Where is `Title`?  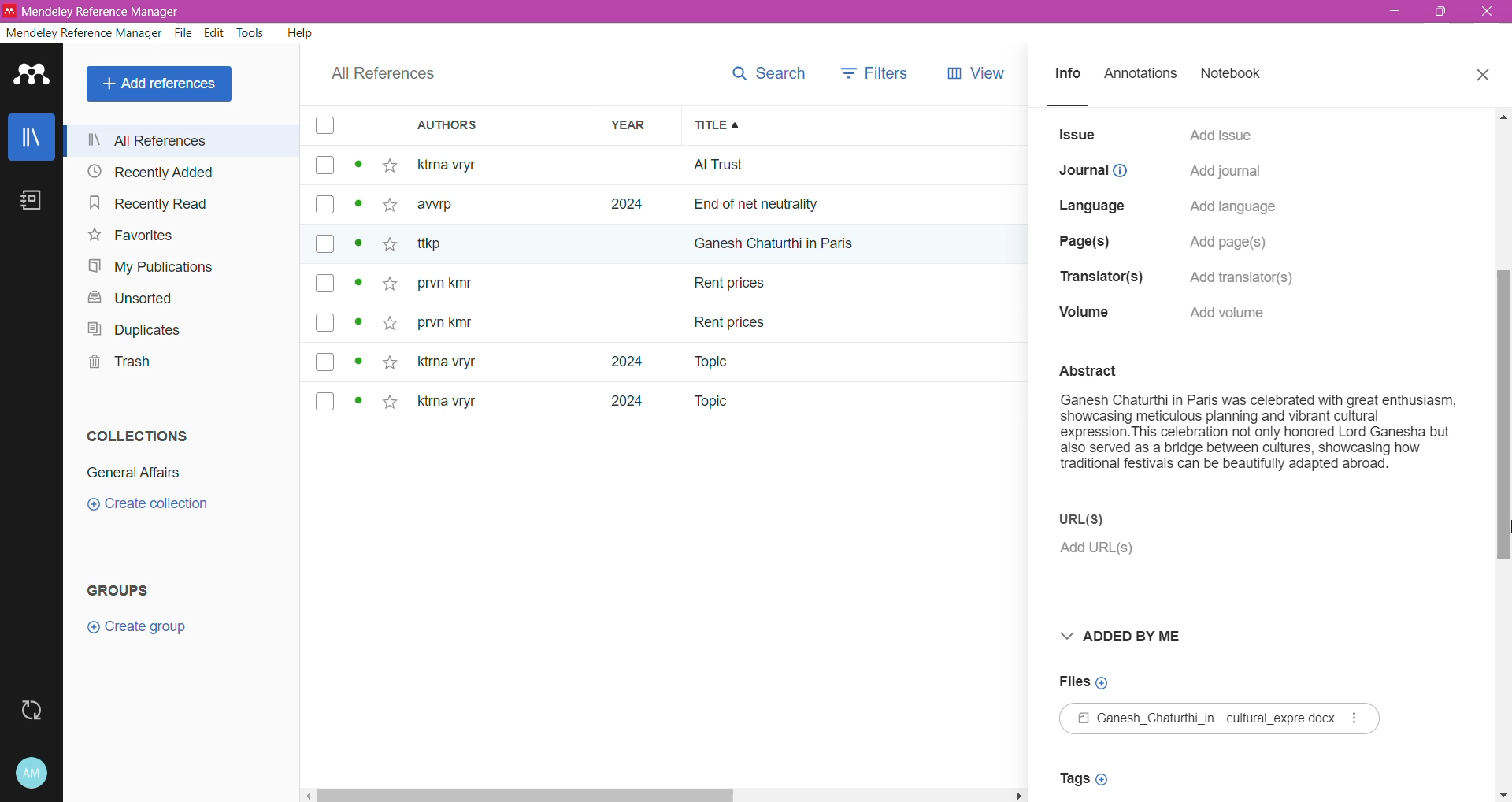
Title is located at coordinates (854, 125).